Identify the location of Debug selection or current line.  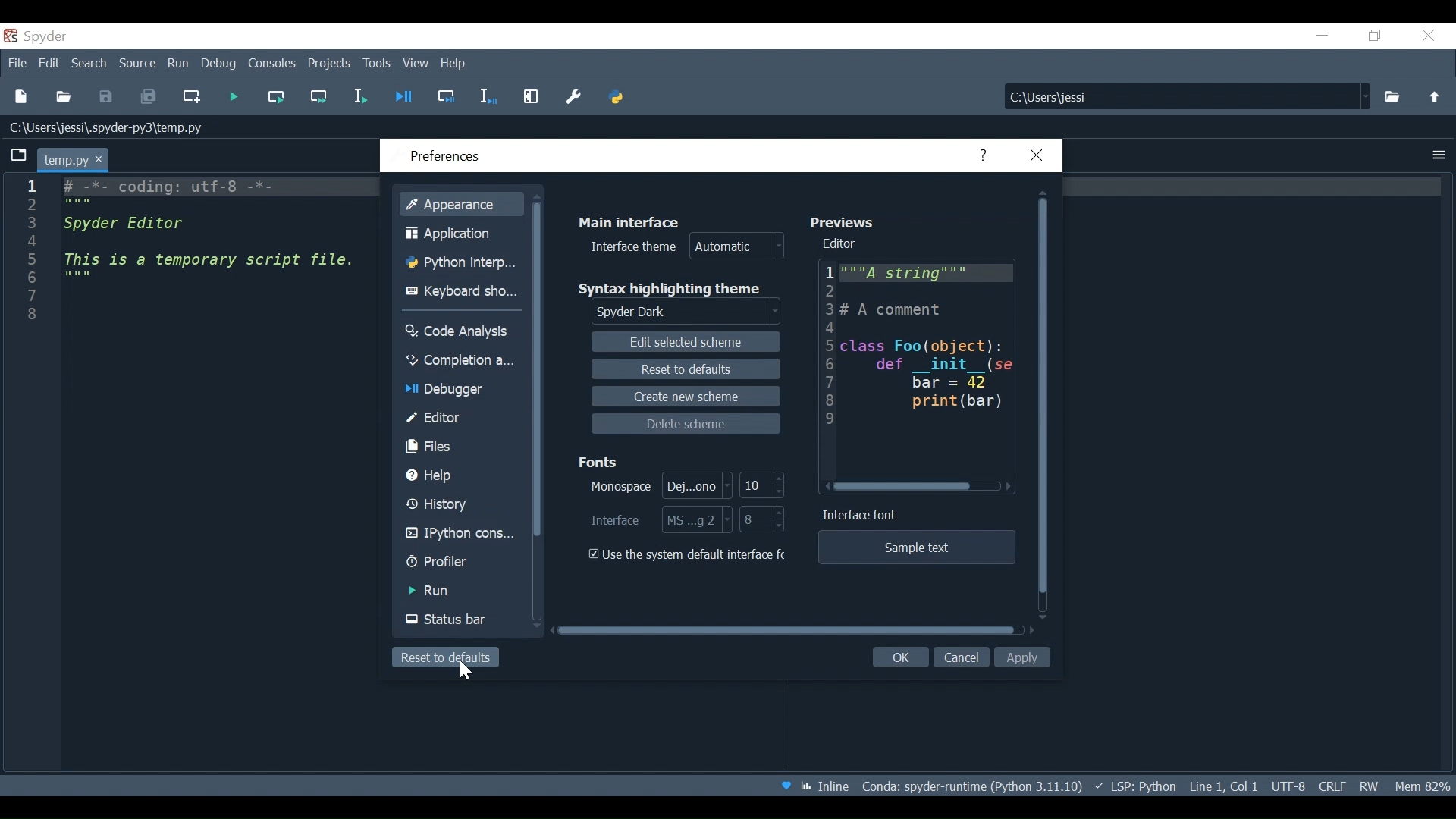
(486, 99).